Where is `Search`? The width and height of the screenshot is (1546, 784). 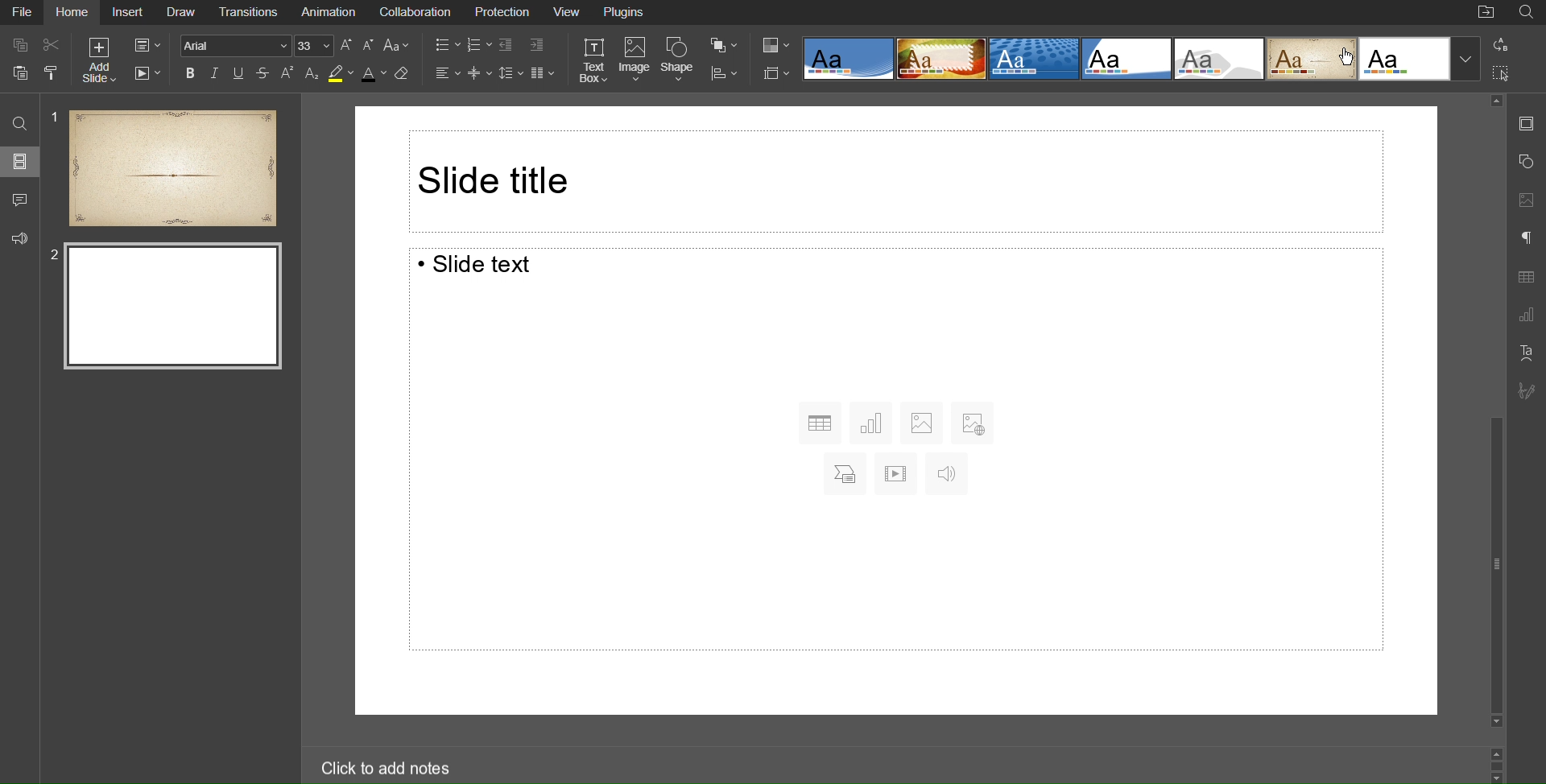 Search is located at coordinates (18, 122).